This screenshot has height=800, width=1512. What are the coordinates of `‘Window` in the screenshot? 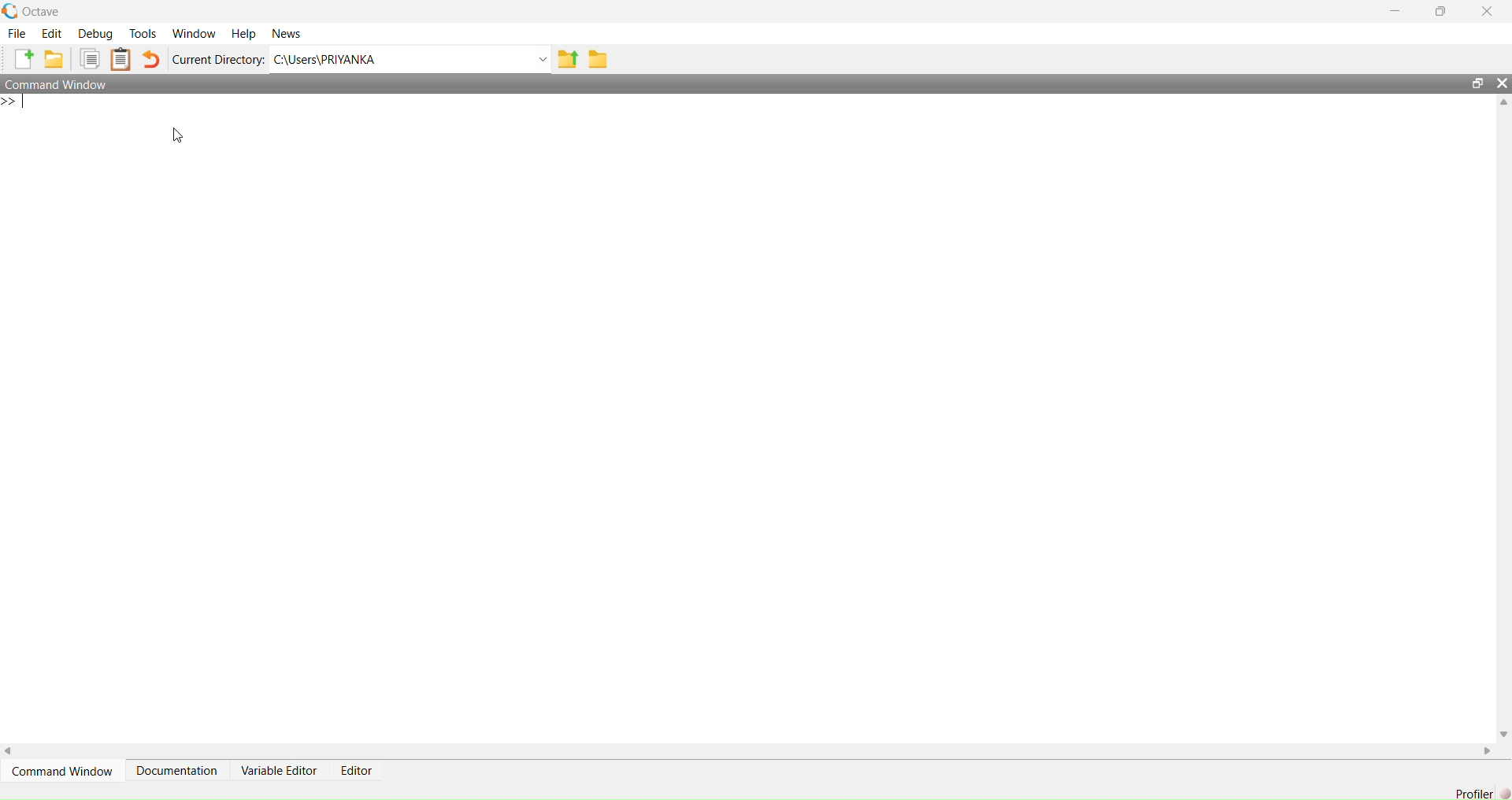 It's located at (193, 30).